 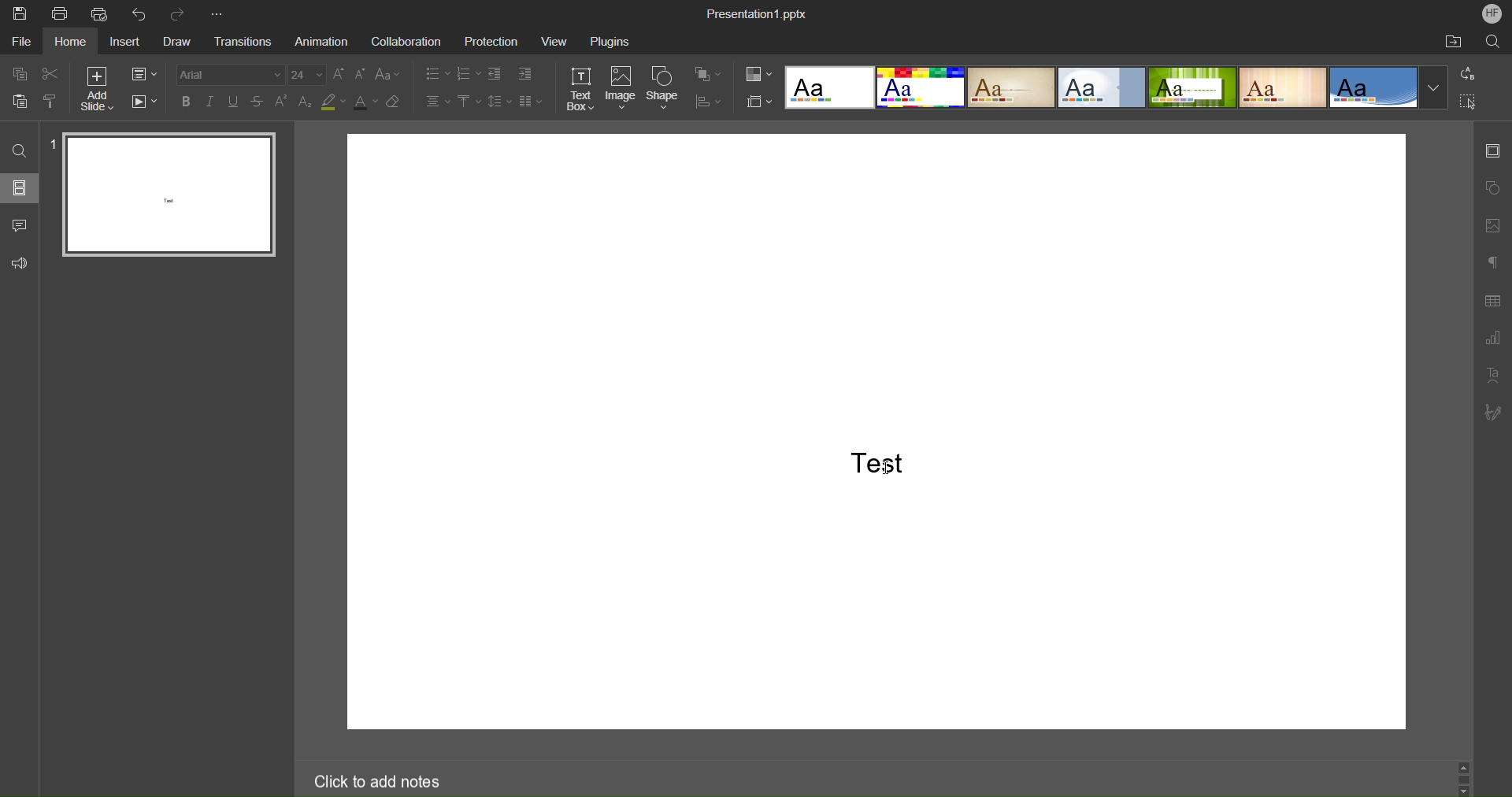 I want to click on Bold, so click(x=187, y=101).